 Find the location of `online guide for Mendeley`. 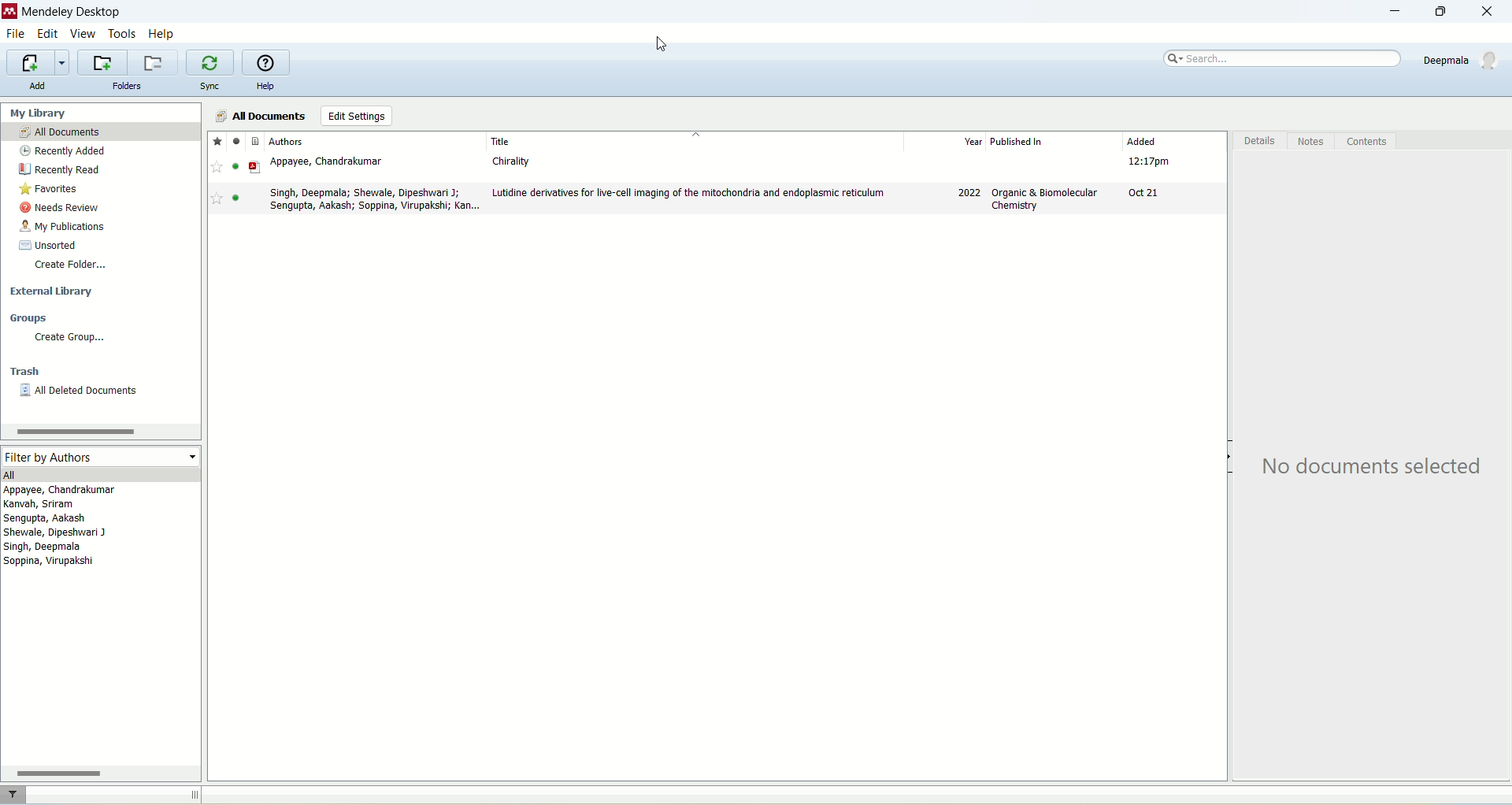

online guide for Mendeley is located at coordinates (266, 63).